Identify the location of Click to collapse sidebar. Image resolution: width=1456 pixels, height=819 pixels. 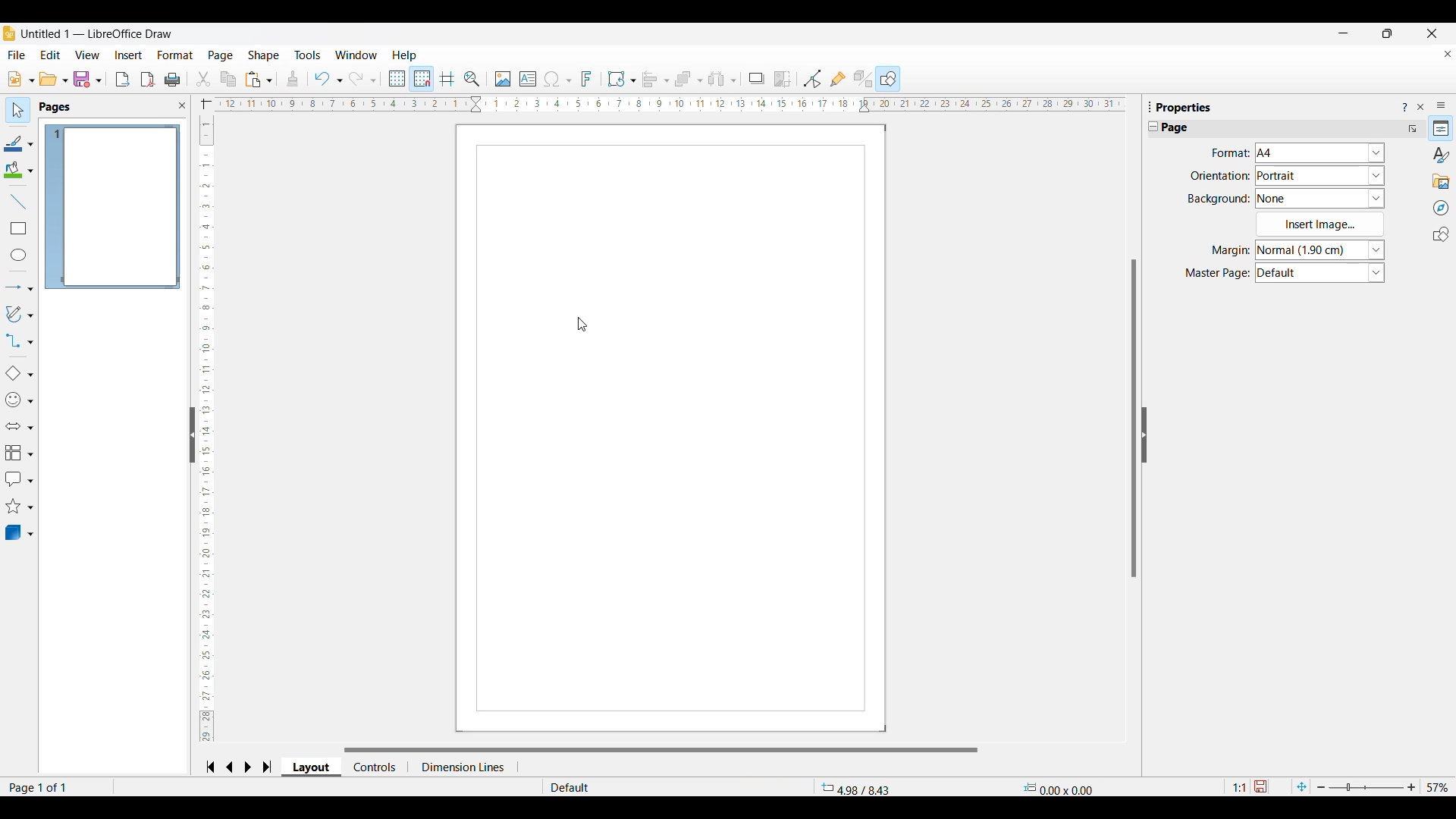
(1144, 435).